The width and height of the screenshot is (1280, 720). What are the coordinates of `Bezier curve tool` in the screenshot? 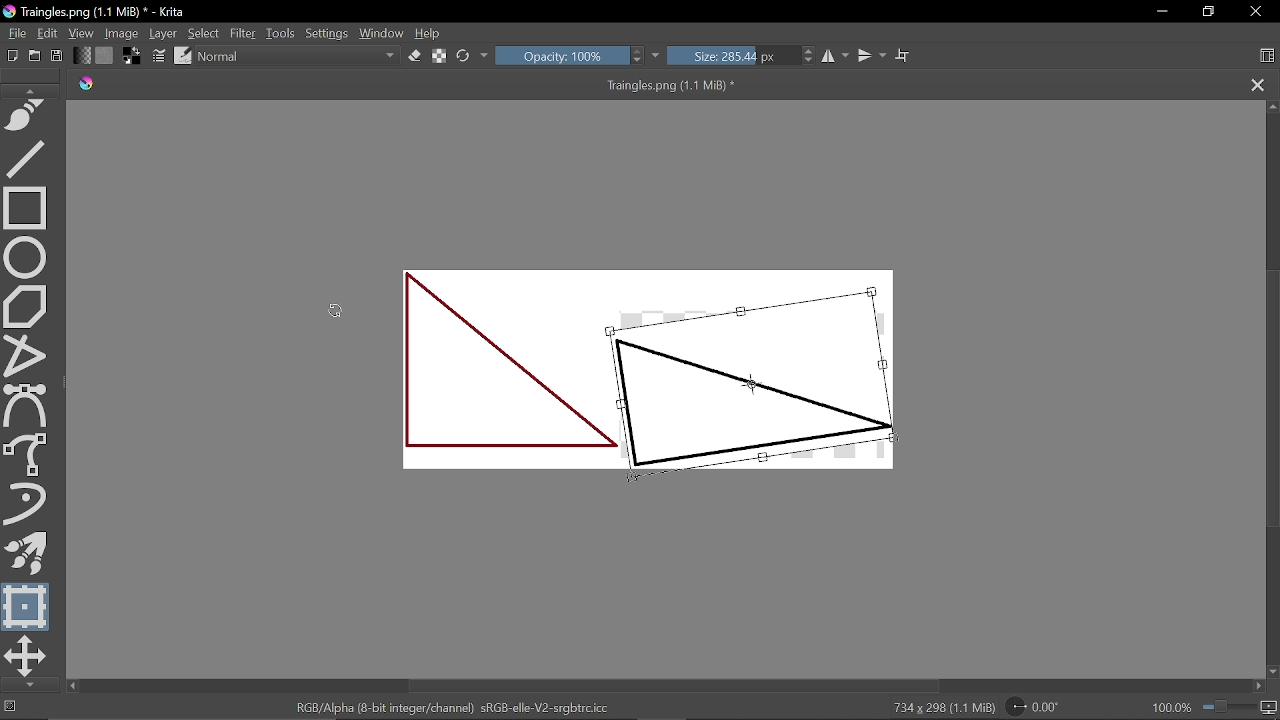 It's located at (28, 406).